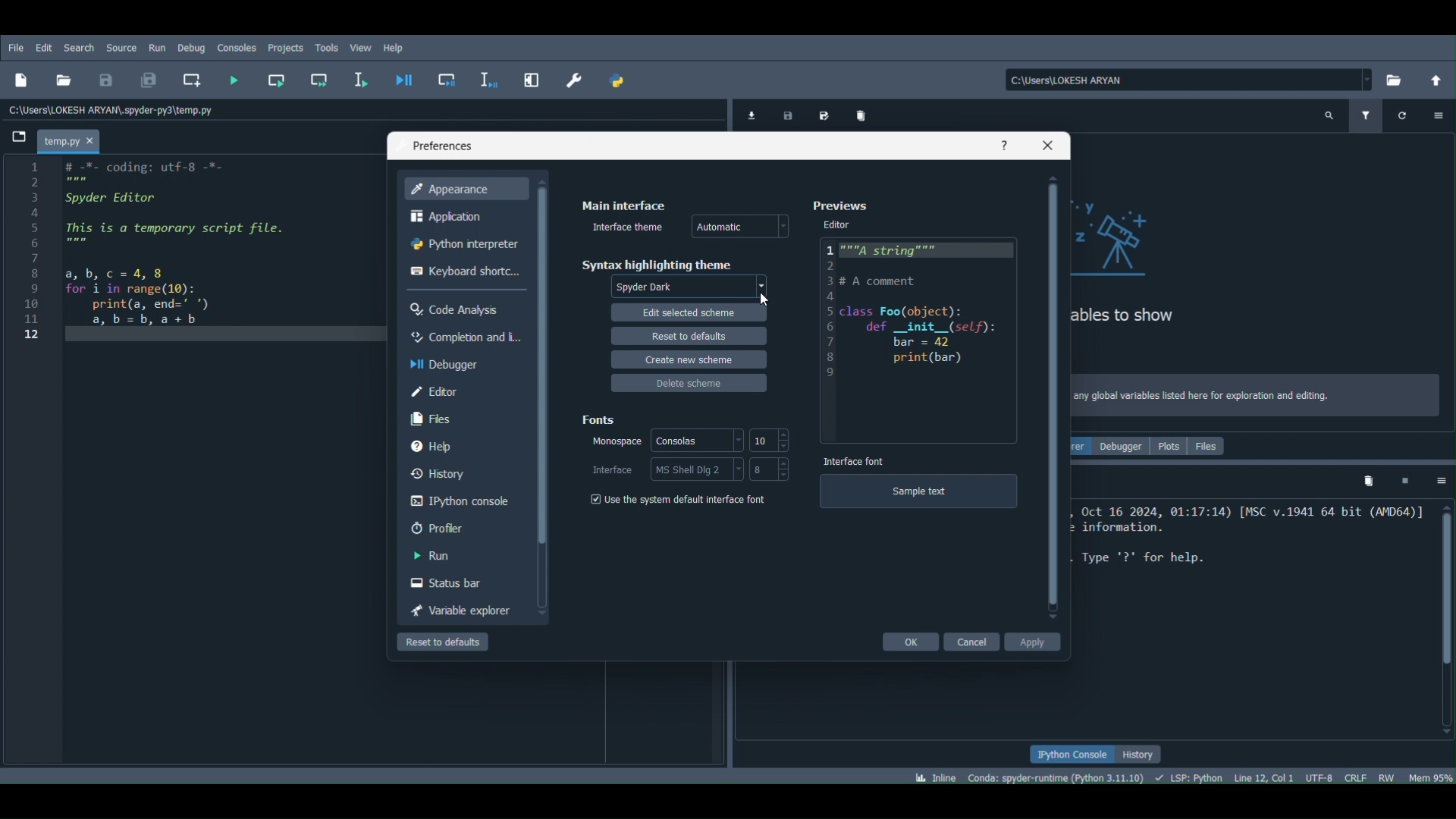 The image size is (1456, 819). I want to click on Save all files (Ctrl + Alt + S), so click(149, 77).